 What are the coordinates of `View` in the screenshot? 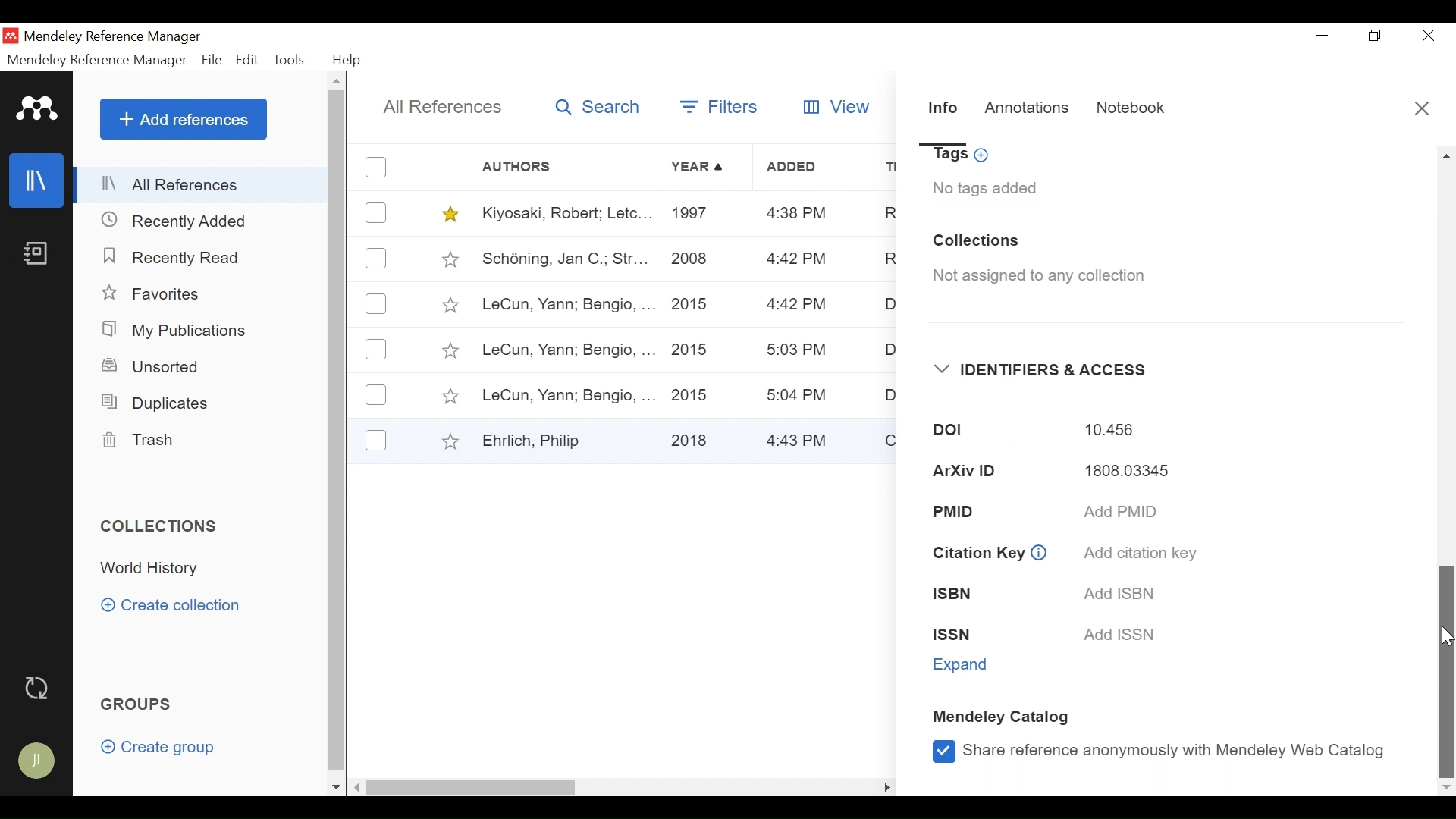 It's located at (839, 107).